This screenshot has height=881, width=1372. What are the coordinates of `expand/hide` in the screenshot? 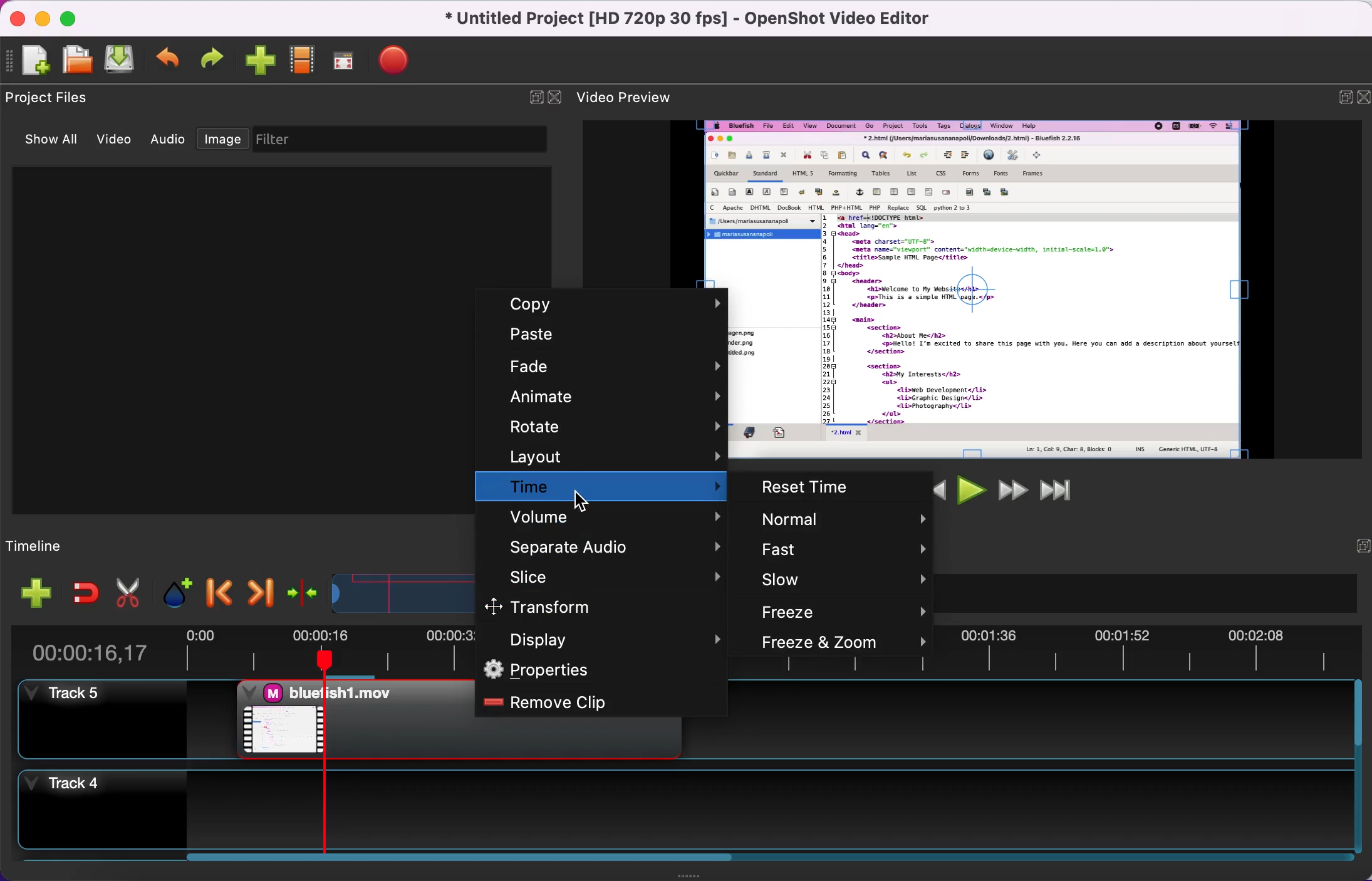 It's located at (1338, 96).